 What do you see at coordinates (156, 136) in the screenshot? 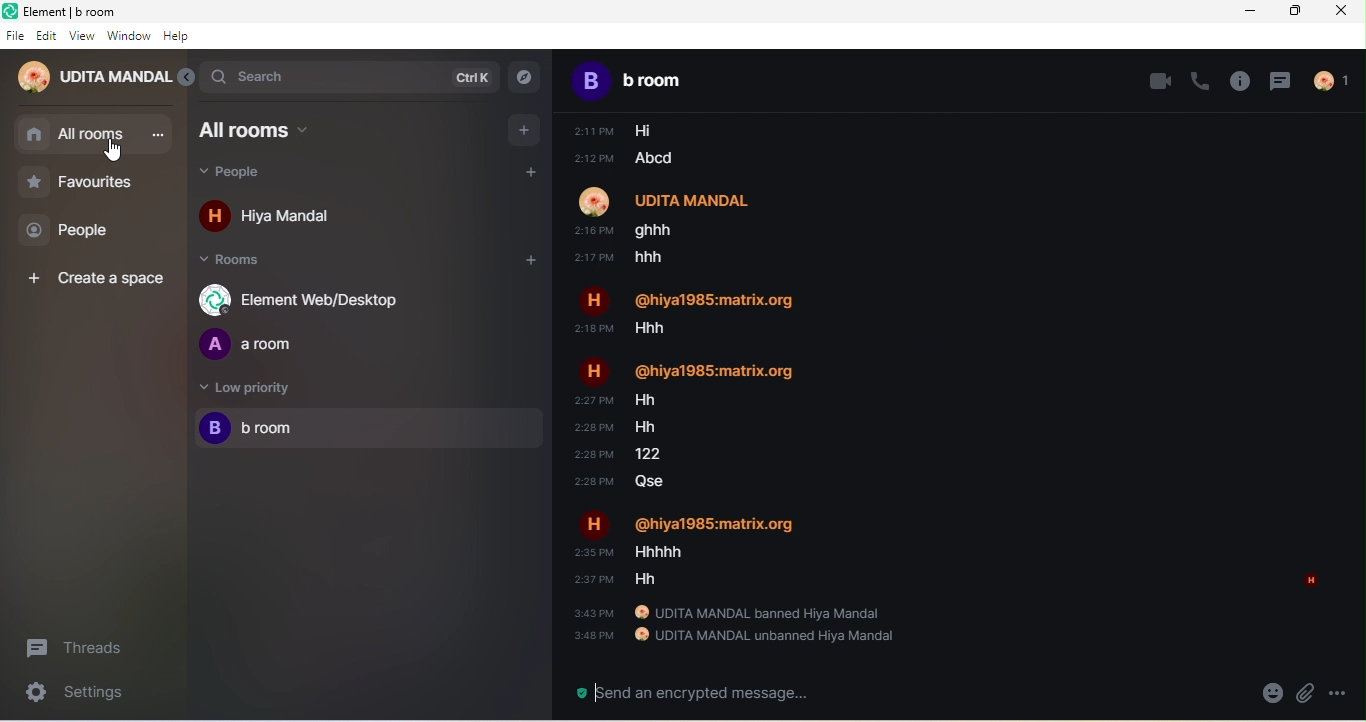
I see `more options` at bounding box center [156, 136].